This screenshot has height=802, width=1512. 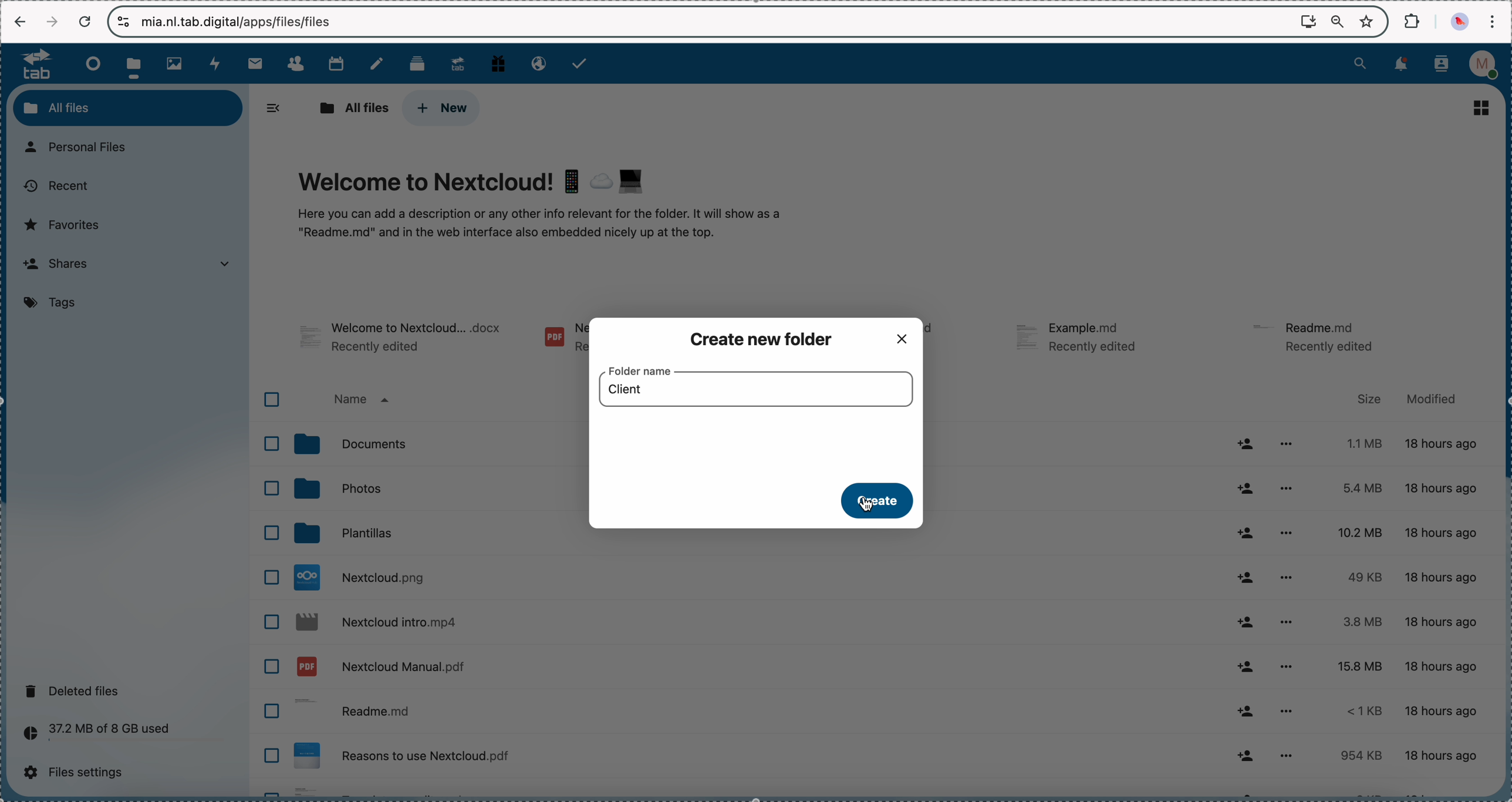 I want to click on calendar, so click(x=336, y=62).